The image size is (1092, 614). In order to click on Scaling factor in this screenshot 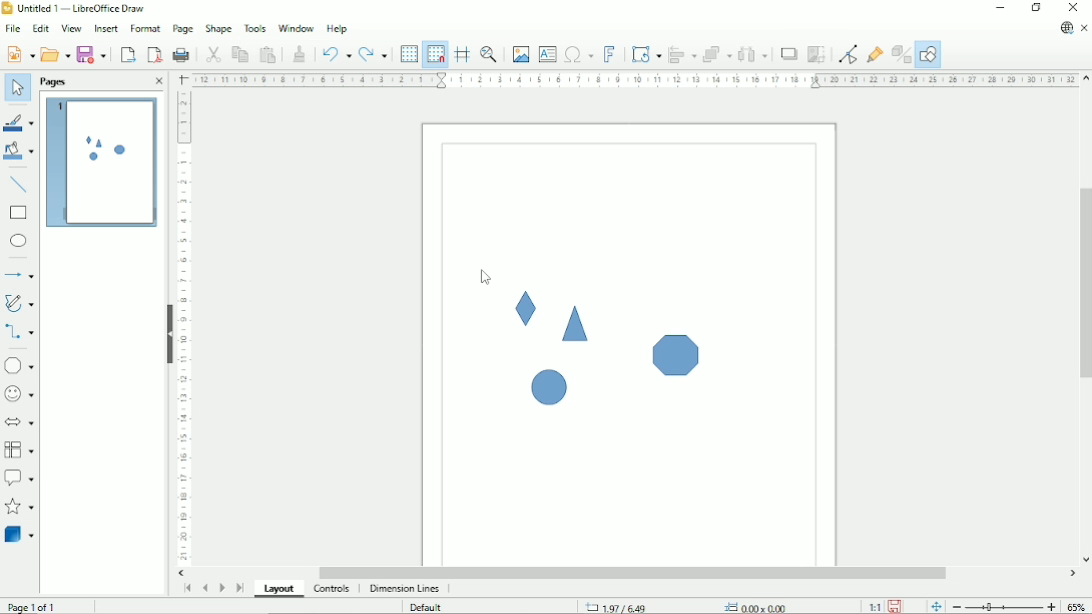, I will do `click(874, 606)`.